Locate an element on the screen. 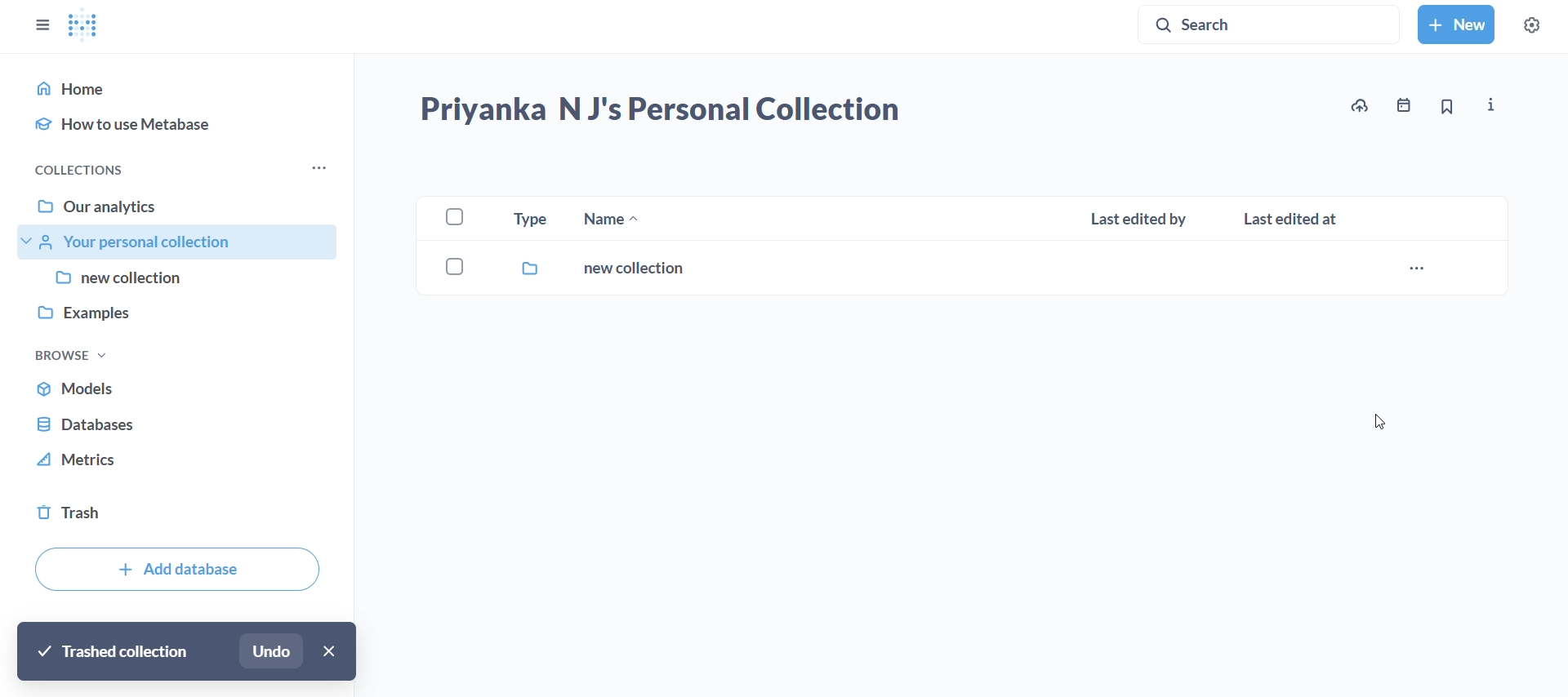 The width and height of the screenshot is (1568, 697). type is located at coordinates (529, 220).